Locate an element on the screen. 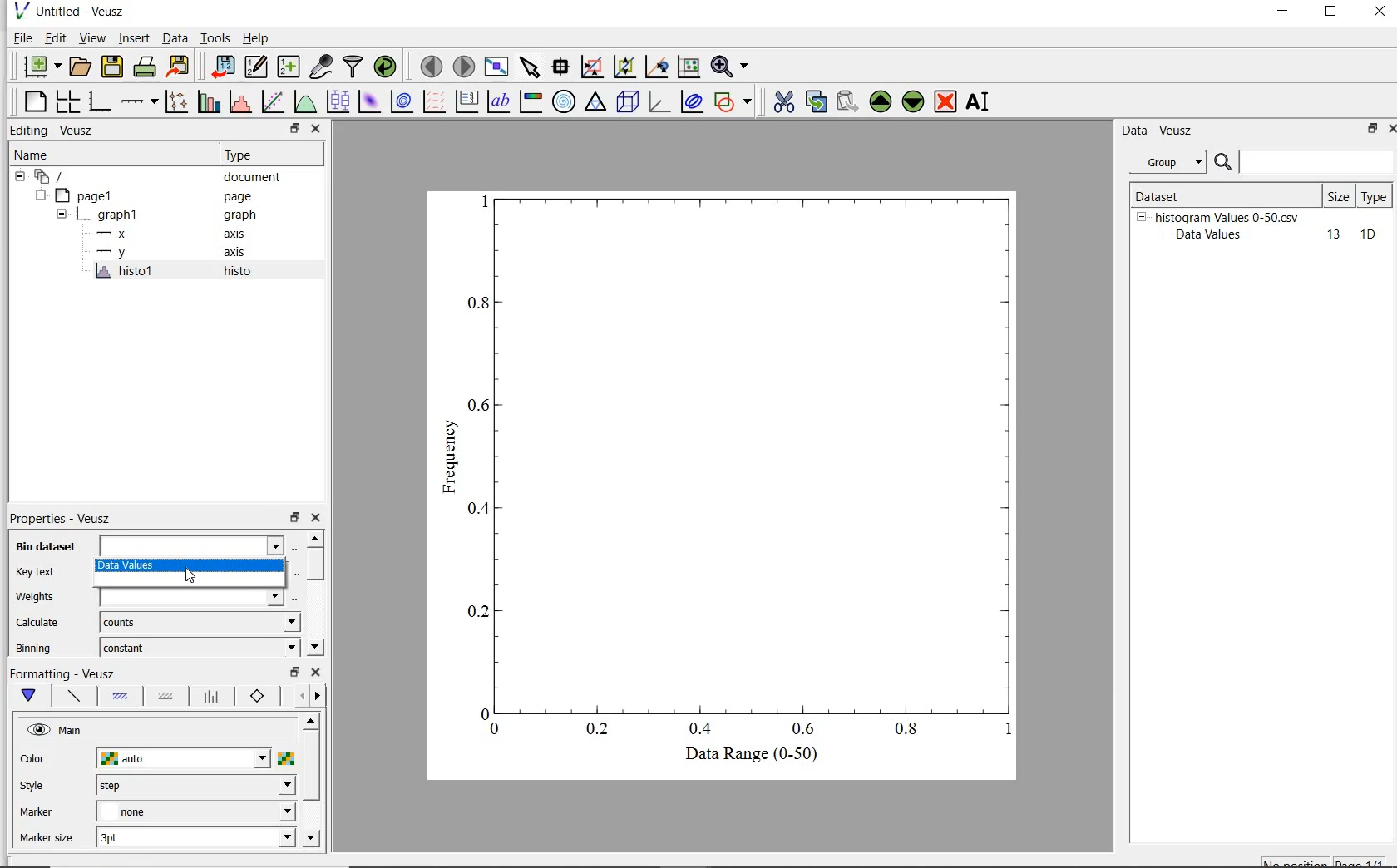  | none vw is located at coordinates (195, 811).